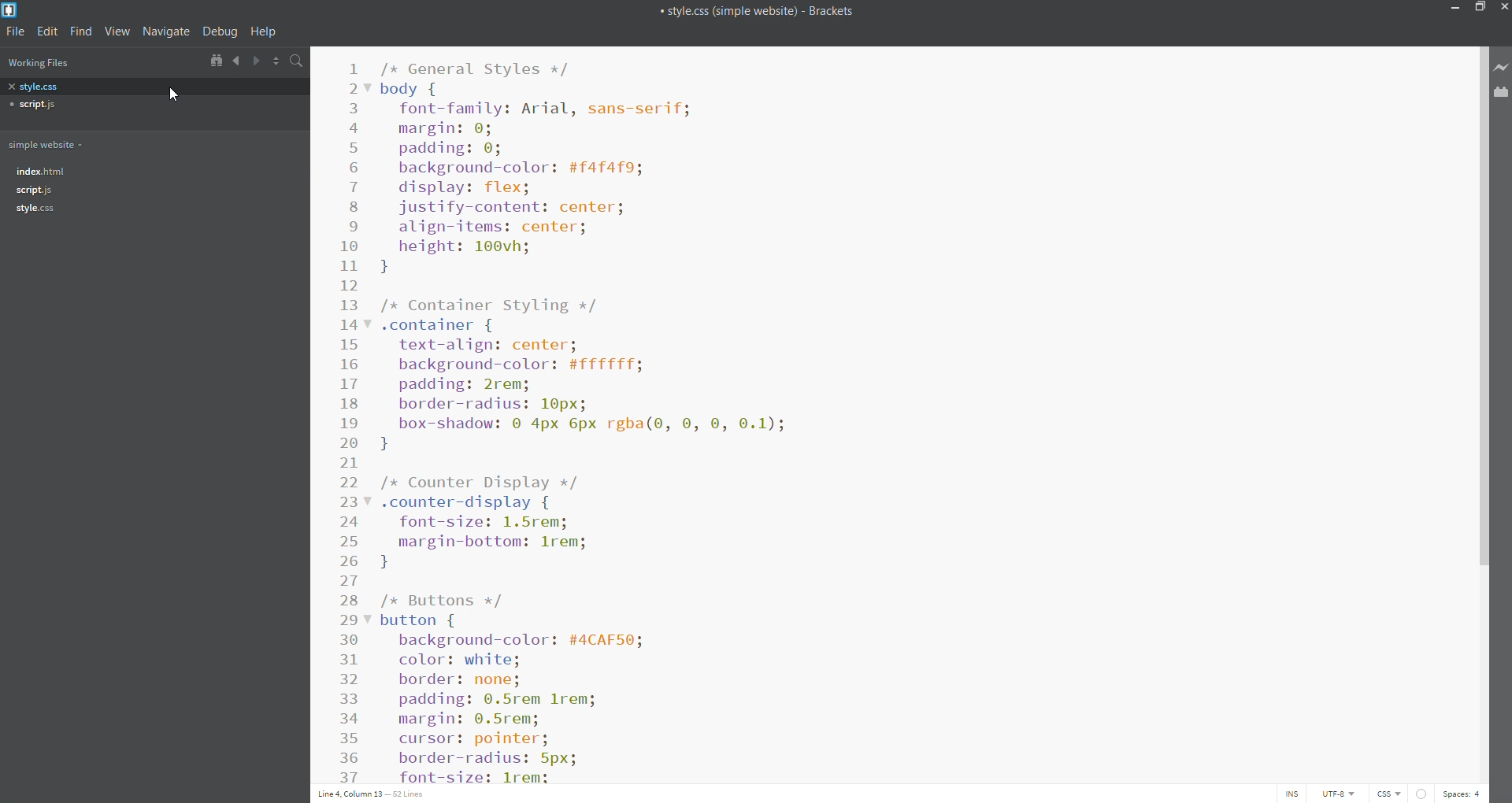 Image resolution: width=1512 pixels, height=803 pixels. Describe the element at coordinates (152, 191) in the screenshot. I see `script.js` at that location.